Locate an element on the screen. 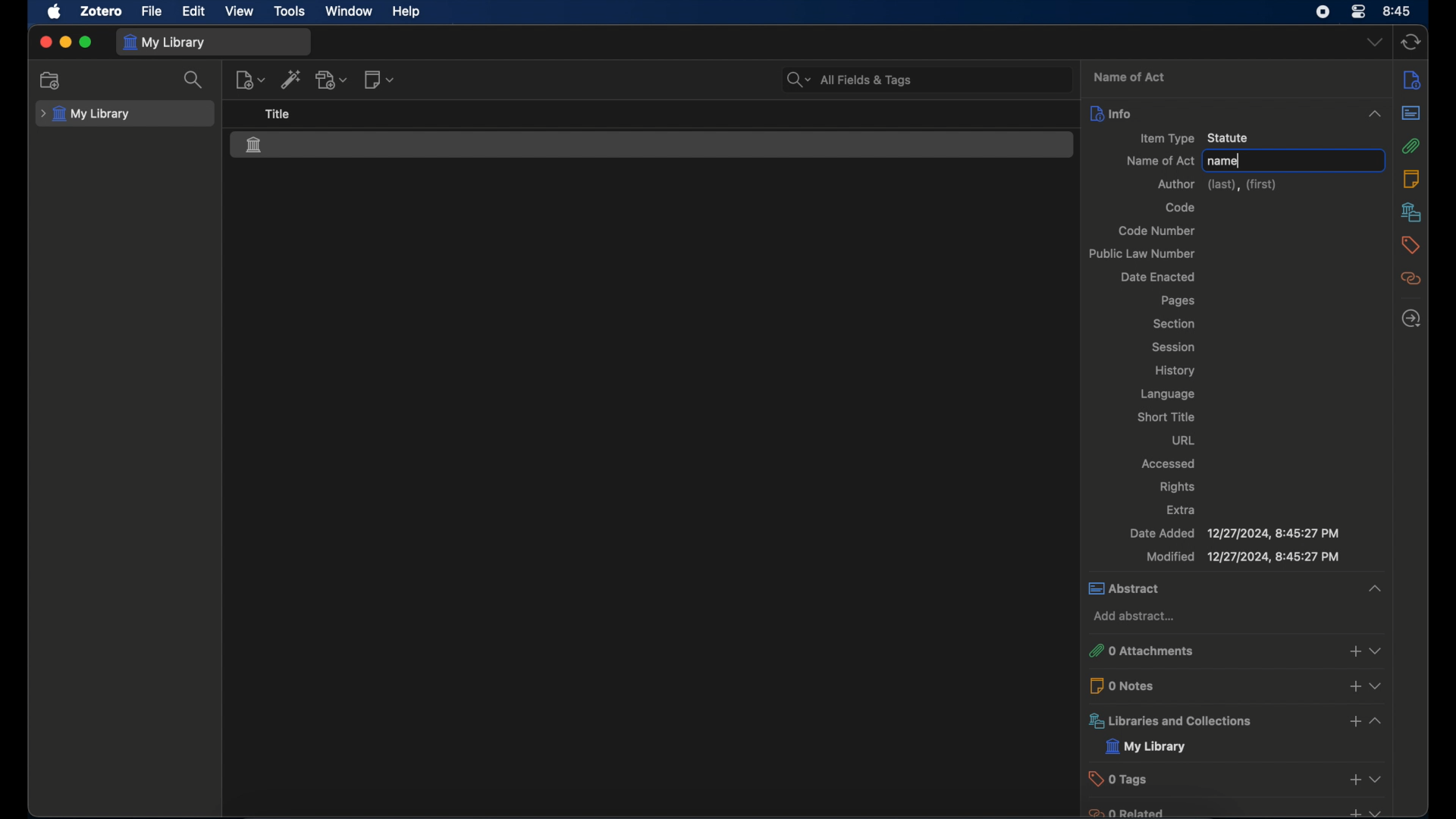 Image resolution: width=1456 pixels, height=819 pixels. history is located at coordinates (1175, 372).